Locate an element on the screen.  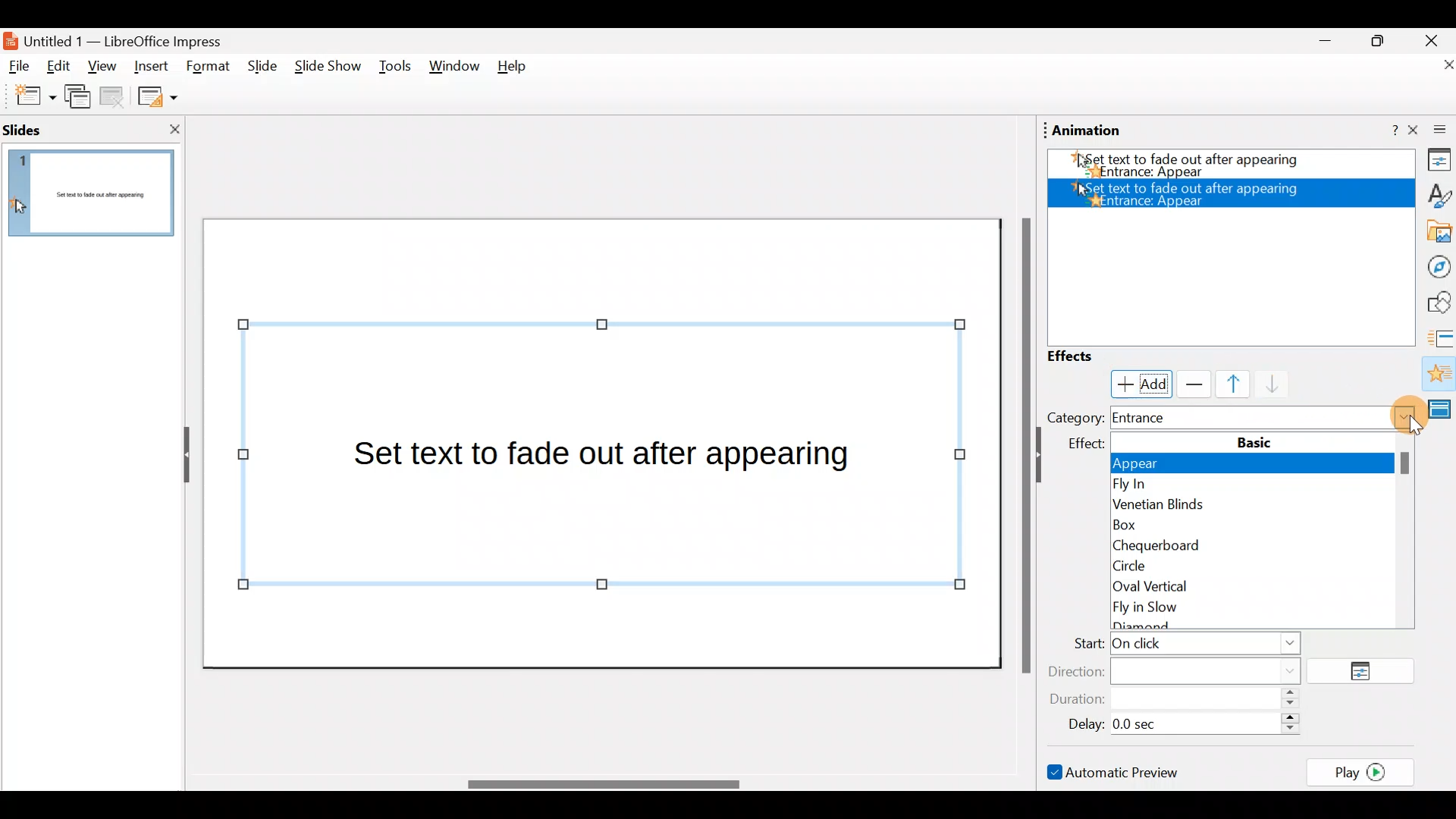
Format is located at coordinates (209, 67).